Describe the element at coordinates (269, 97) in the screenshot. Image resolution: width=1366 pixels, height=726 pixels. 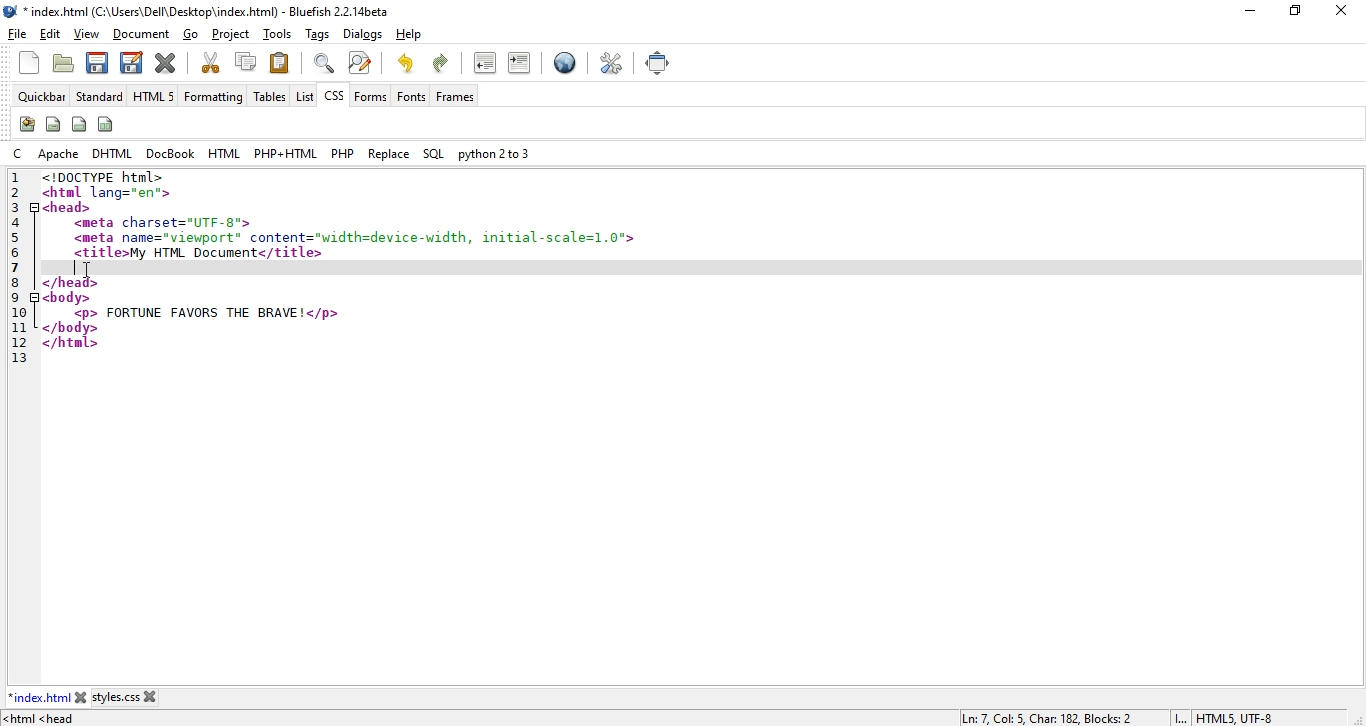
I see `tables` at that location.